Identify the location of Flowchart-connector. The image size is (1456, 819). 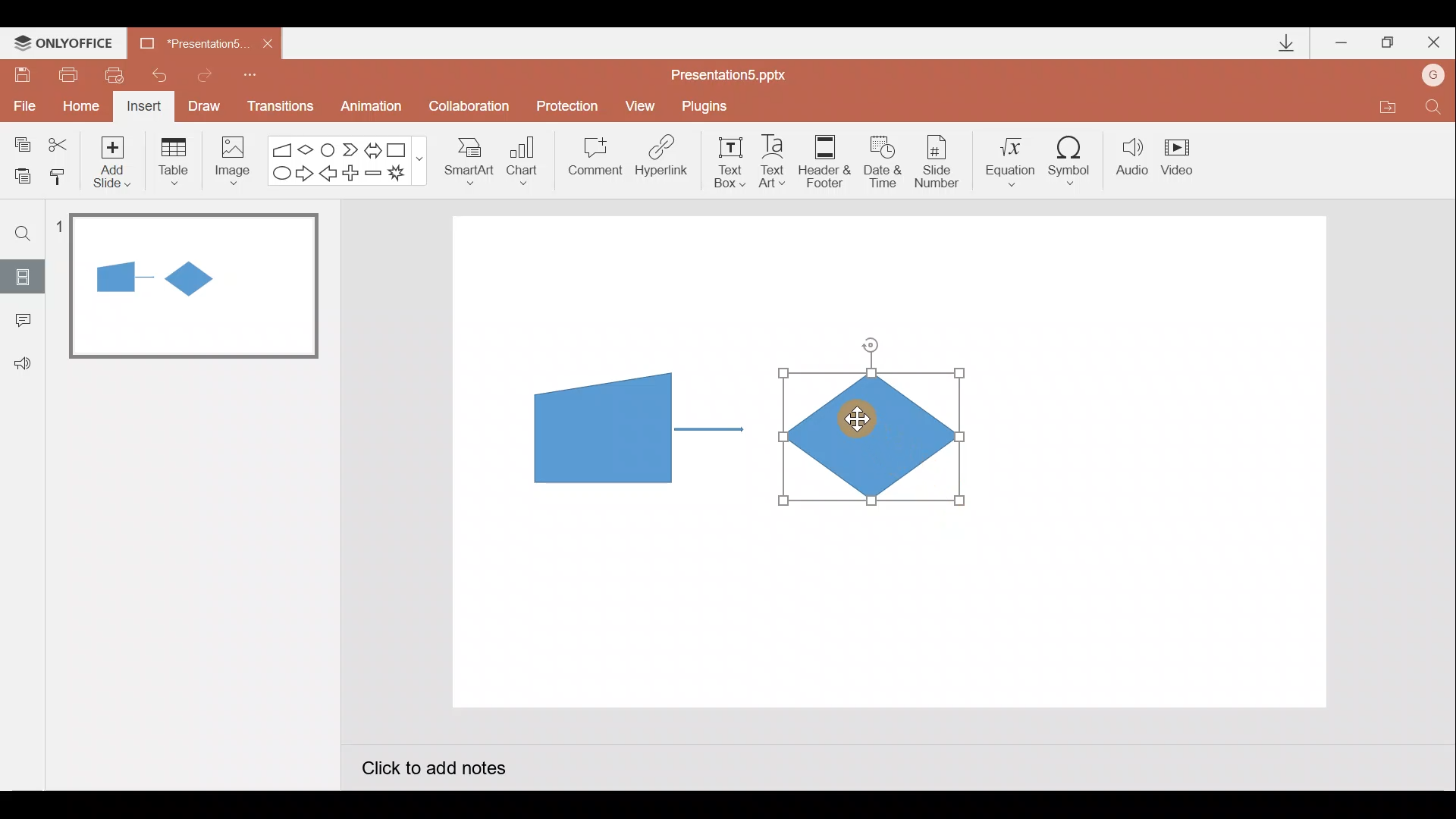
(329, 149).